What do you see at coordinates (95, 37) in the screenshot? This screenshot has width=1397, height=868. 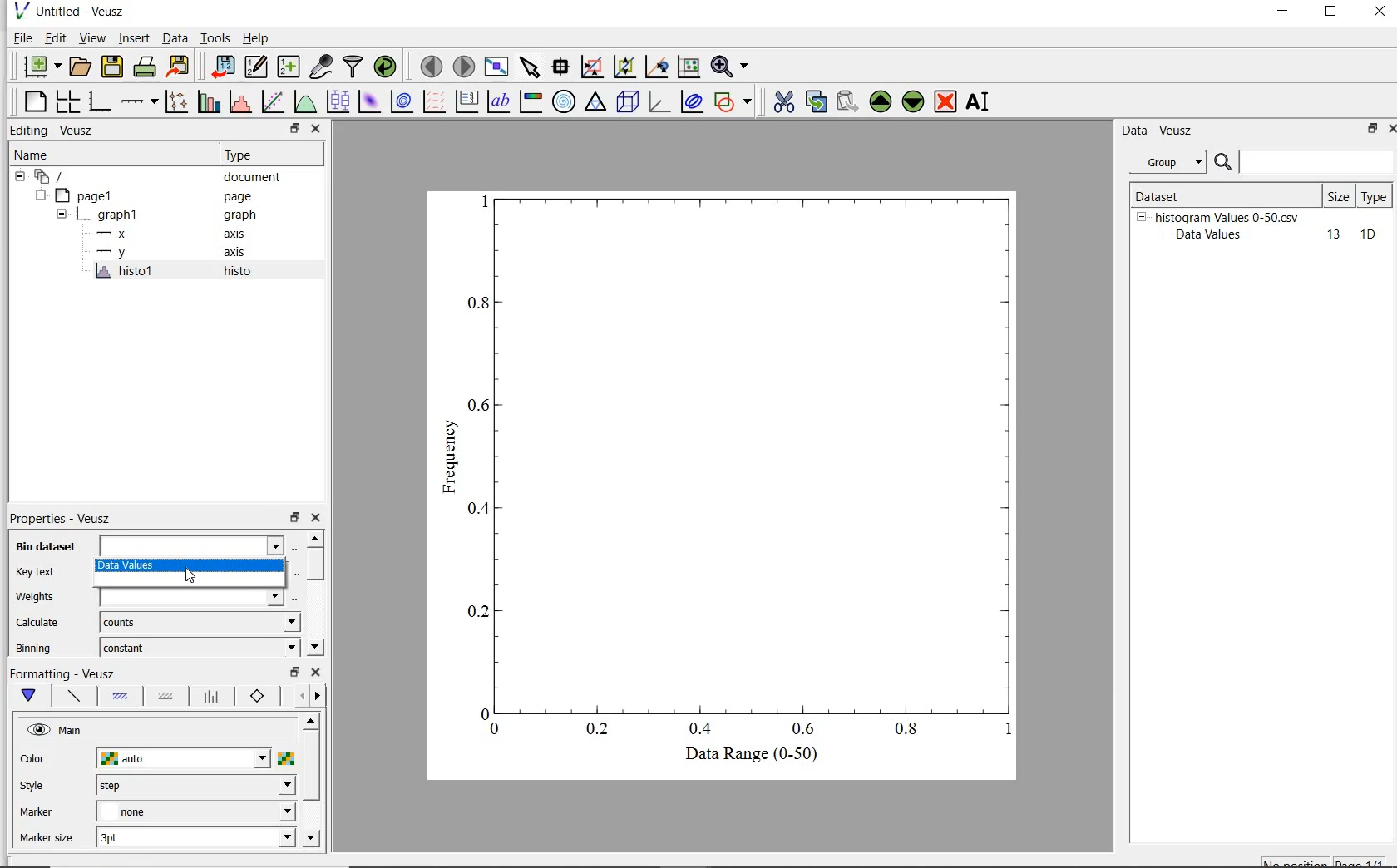 I see `view` at bounding box center [95, 37].